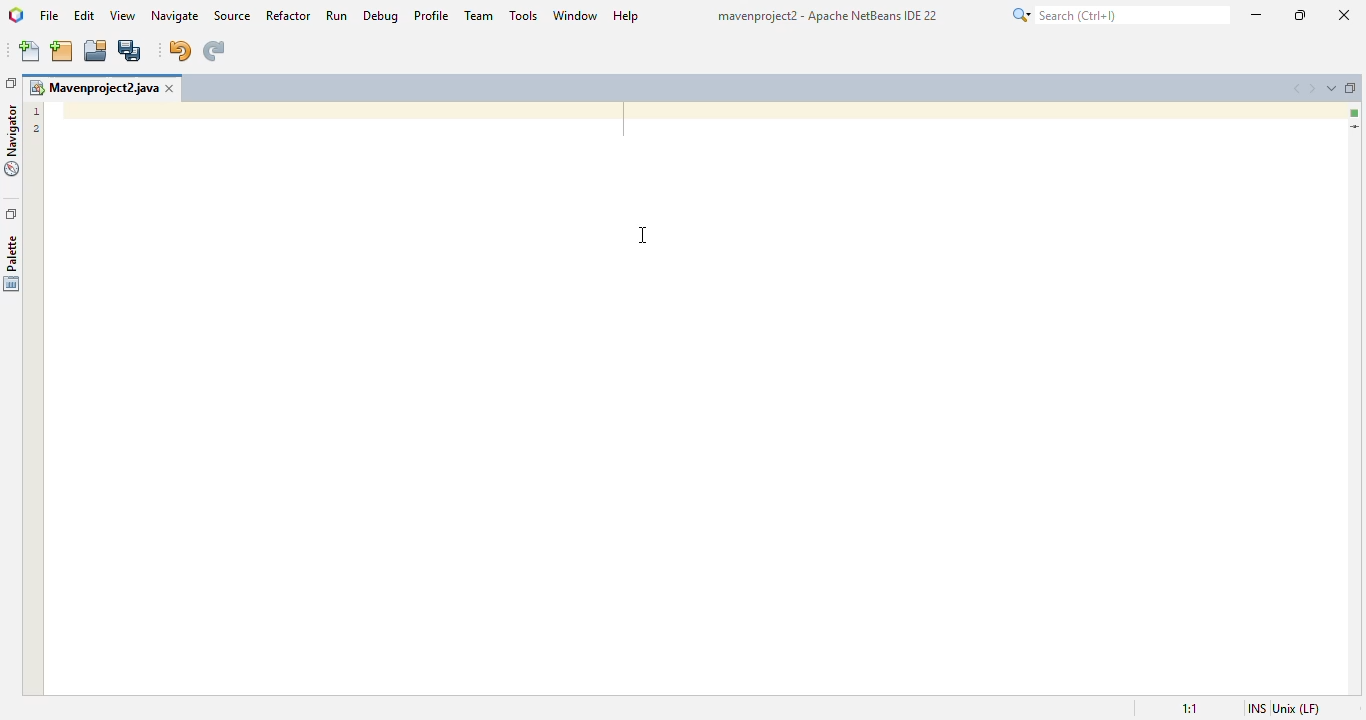 Image resolution: width=1366 pixels, height=720 pixels. Describe the element at coordinates (62, 51) in the screenshot. I see `new project` at that location.